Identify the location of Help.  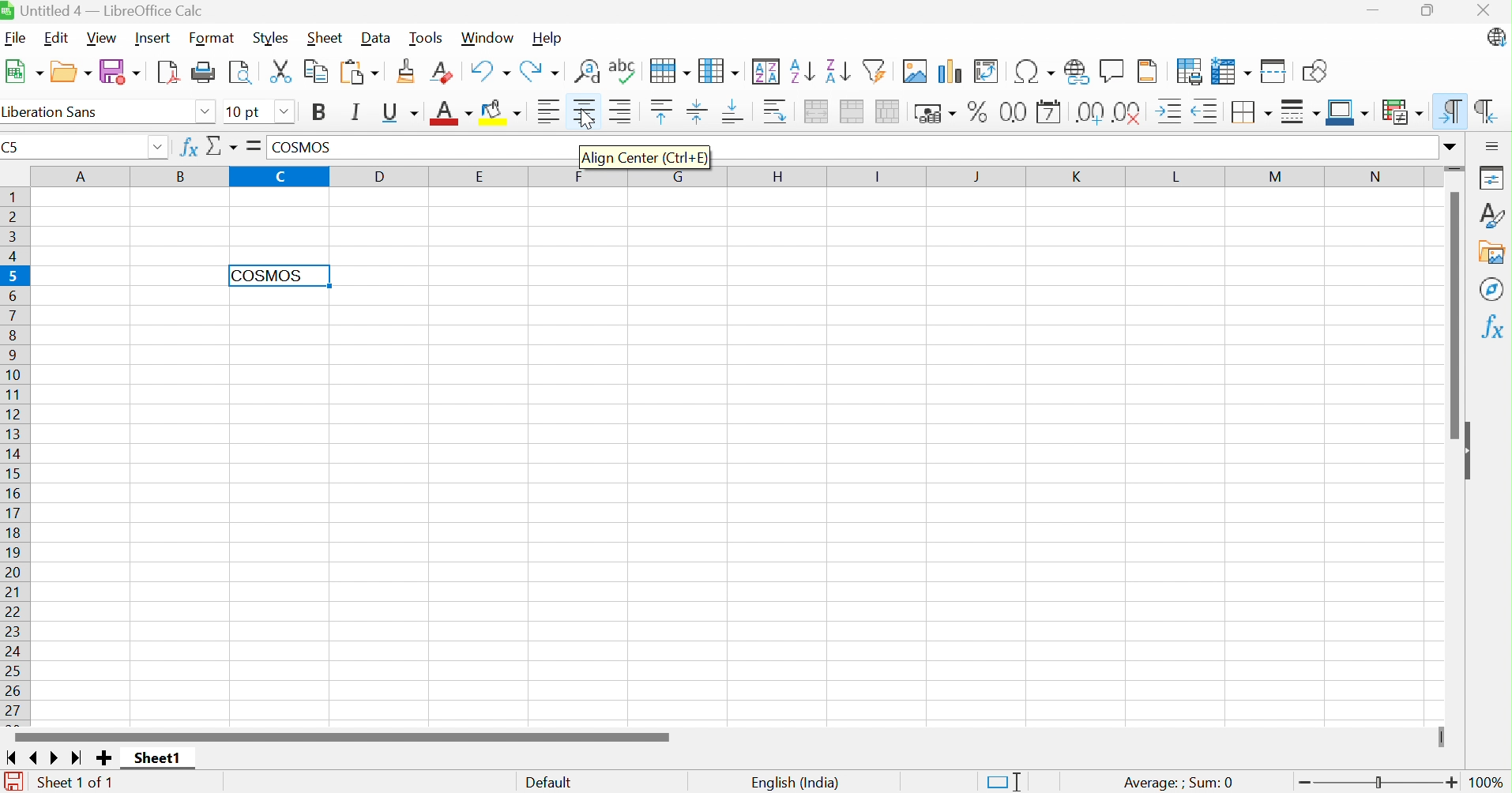
(548, 38).